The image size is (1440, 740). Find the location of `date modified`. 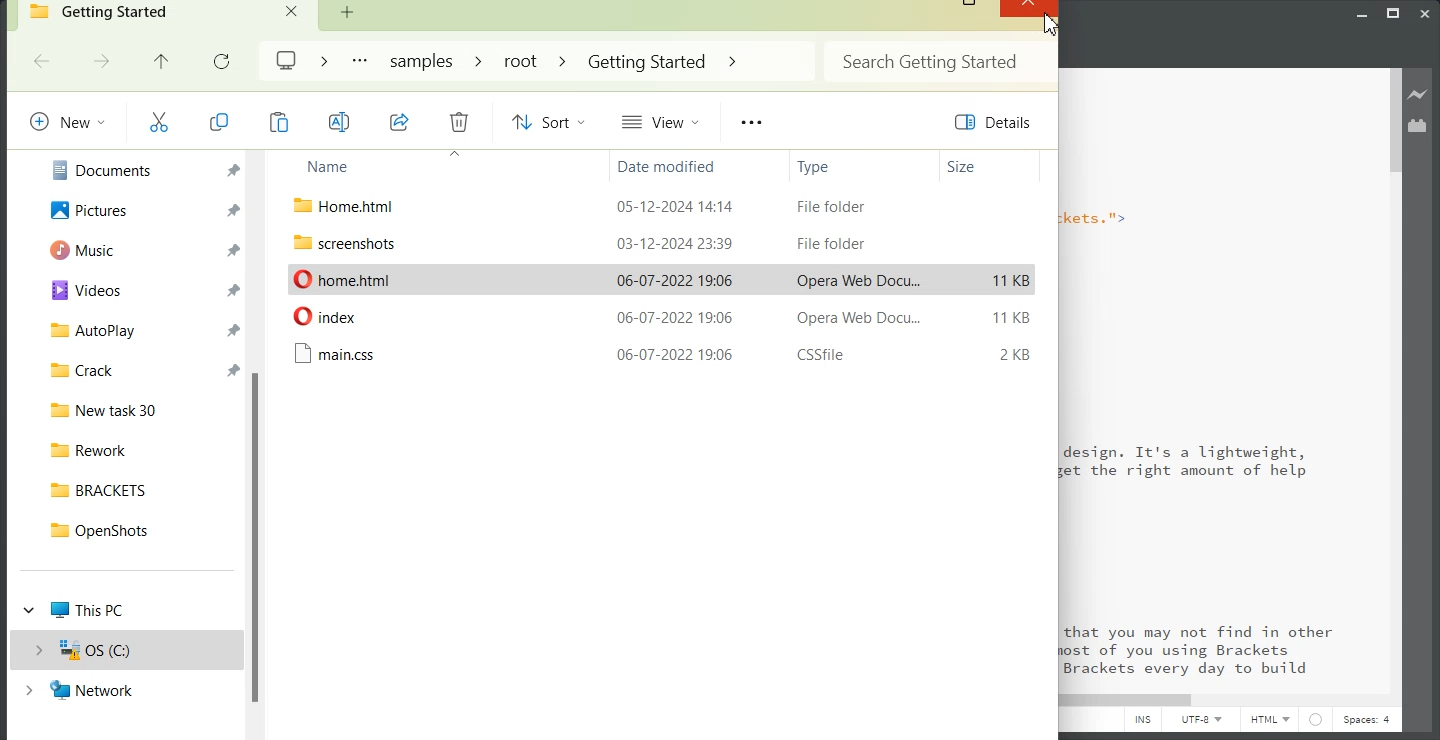

date modified is located at coordinates (669, 319).